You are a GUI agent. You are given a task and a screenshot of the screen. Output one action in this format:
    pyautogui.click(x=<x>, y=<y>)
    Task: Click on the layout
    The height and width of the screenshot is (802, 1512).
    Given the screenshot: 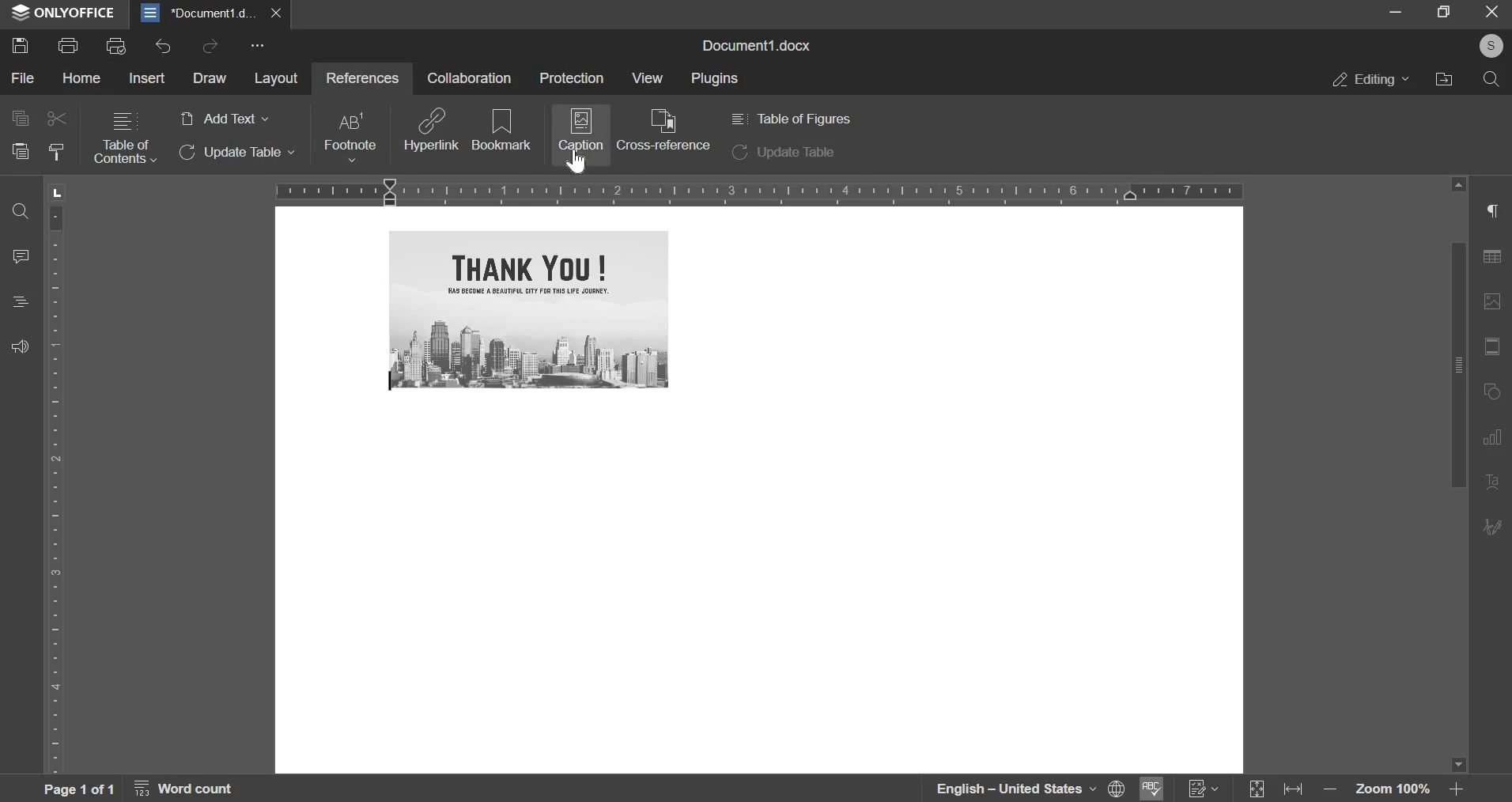 What is the action you would take?
    pyautogui.click(x=276, y=80)
    